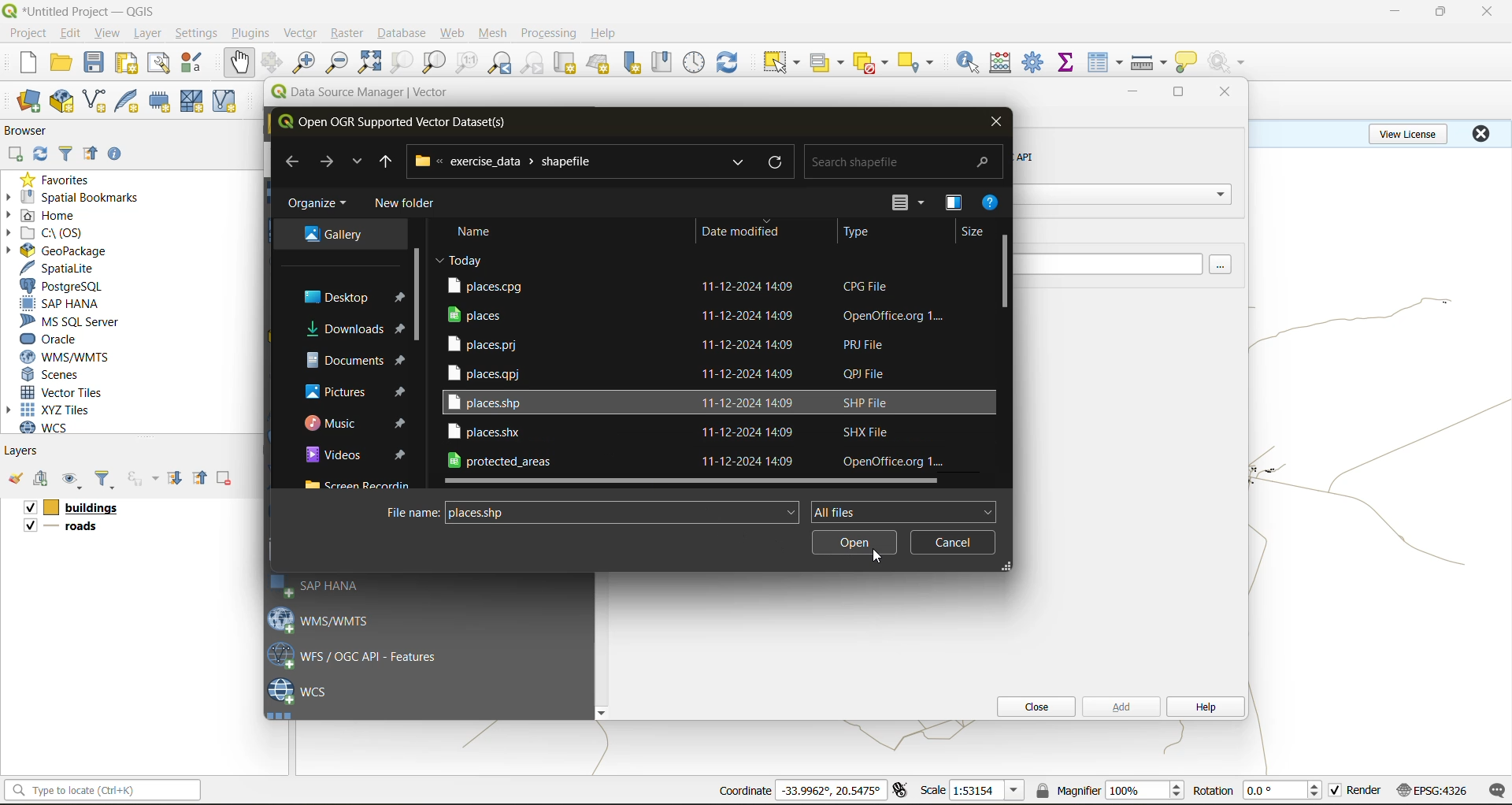  What do you see at coordinates (71, 357) in the screenshot?
I see `wms/wmts` at bounding box center [71, 357].